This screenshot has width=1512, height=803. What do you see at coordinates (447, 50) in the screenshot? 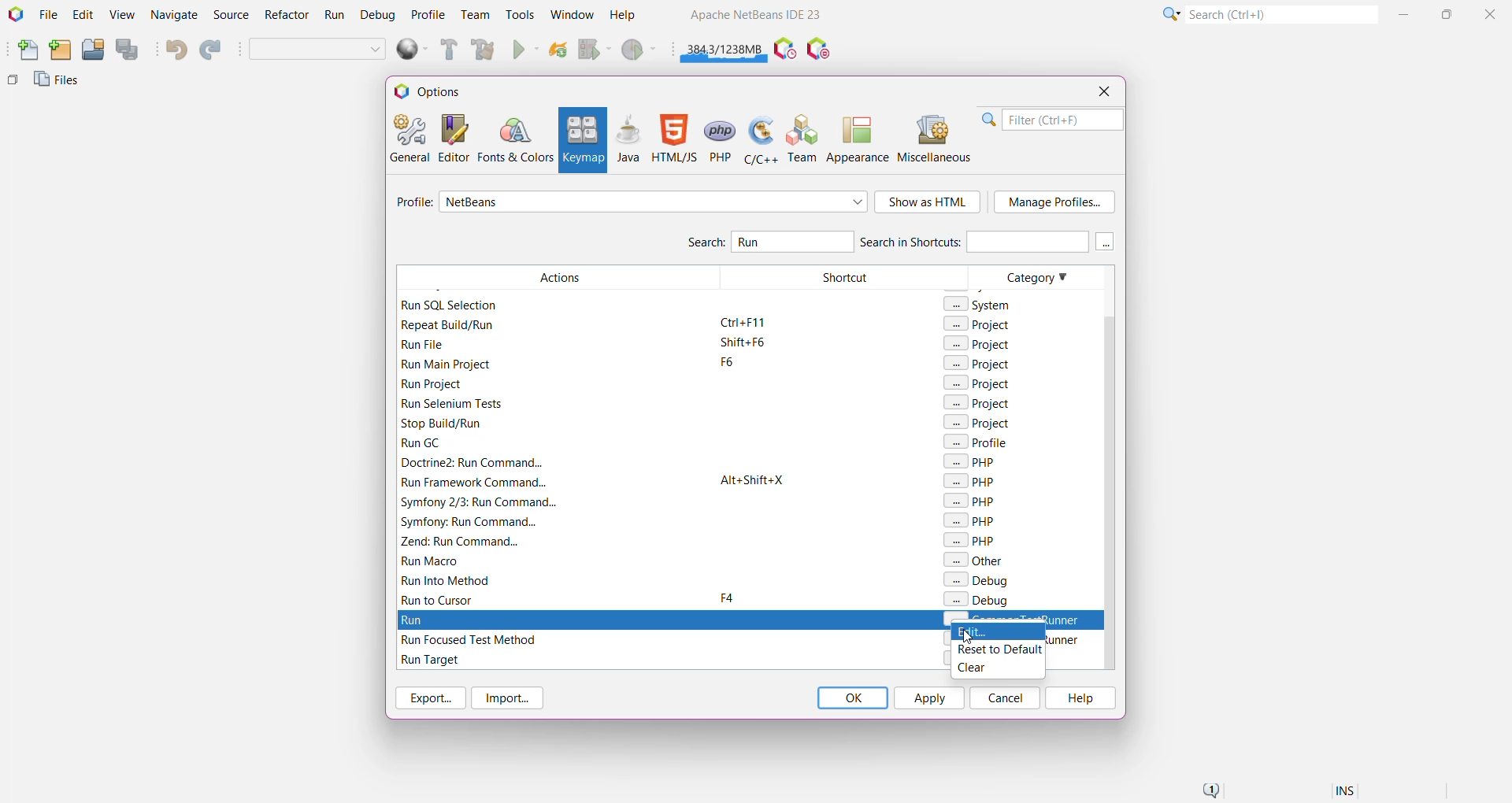
I see `Build Main Project` at bounding box center [447, 50].